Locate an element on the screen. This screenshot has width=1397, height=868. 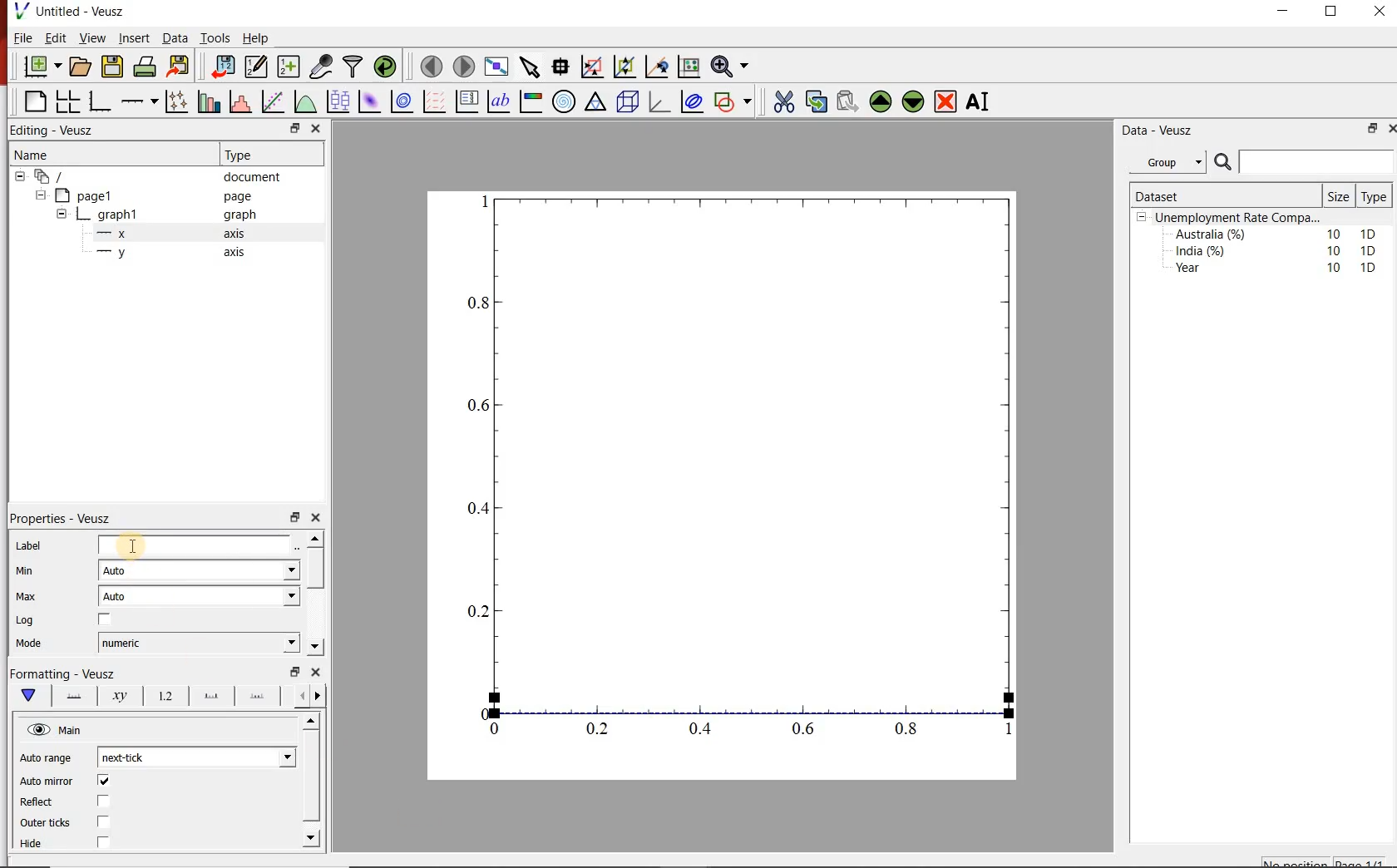
Formatting - Veusz is located at coordinates (62, 672).